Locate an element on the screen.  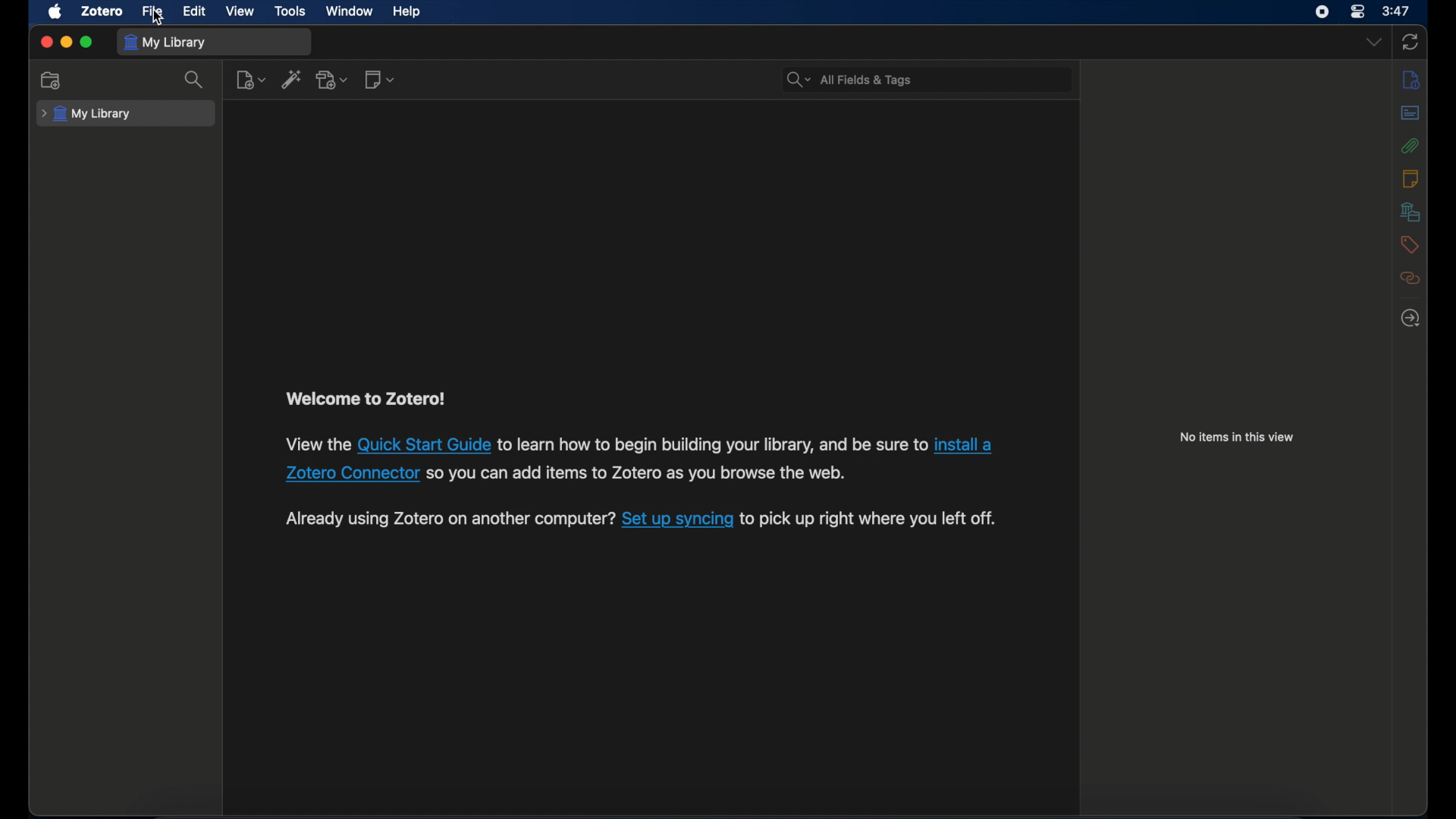
close is located at coordinates (45, 42).